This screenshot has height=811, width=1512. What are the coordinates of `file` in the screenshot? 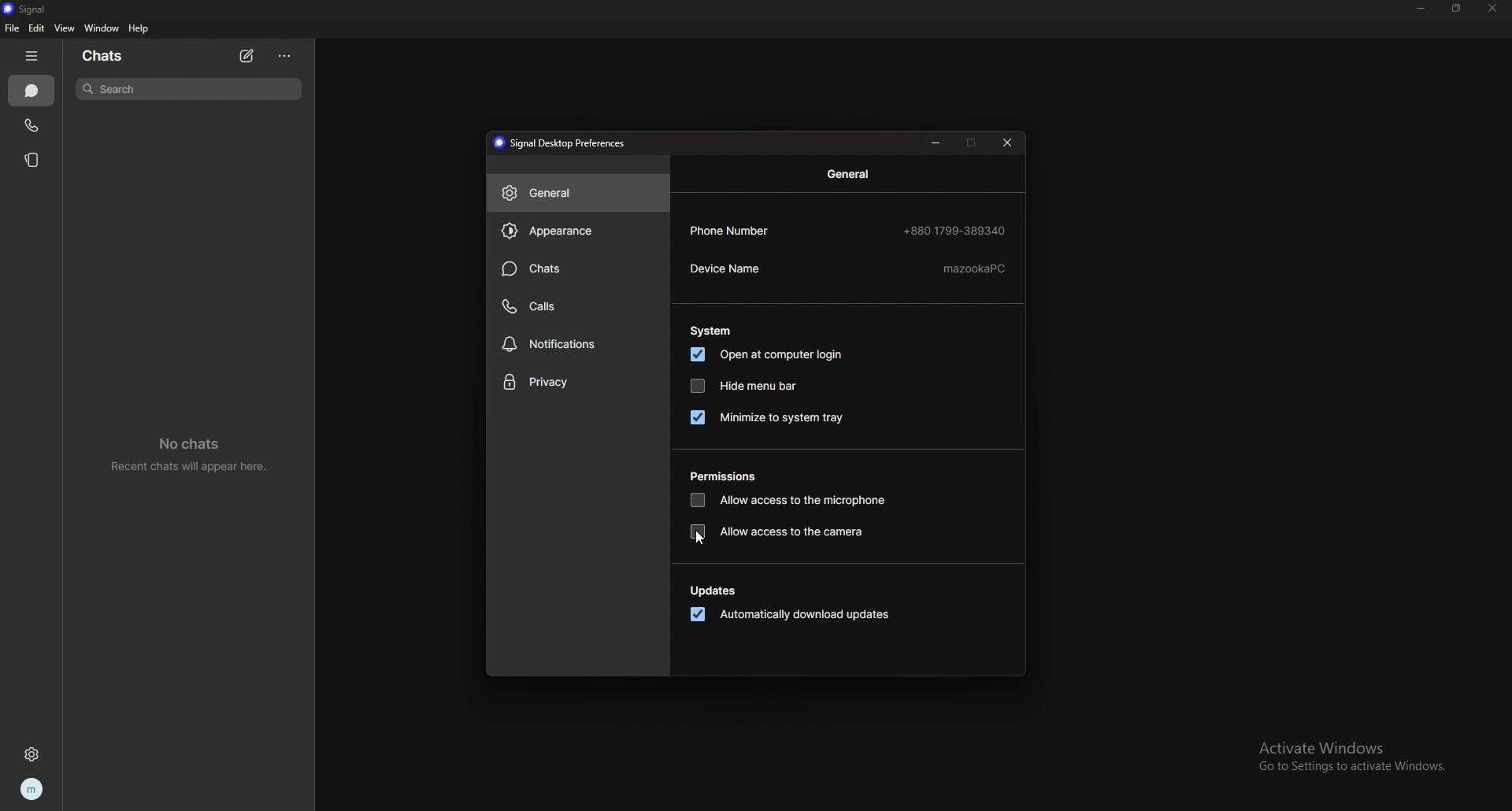 It's located at (11, 28).